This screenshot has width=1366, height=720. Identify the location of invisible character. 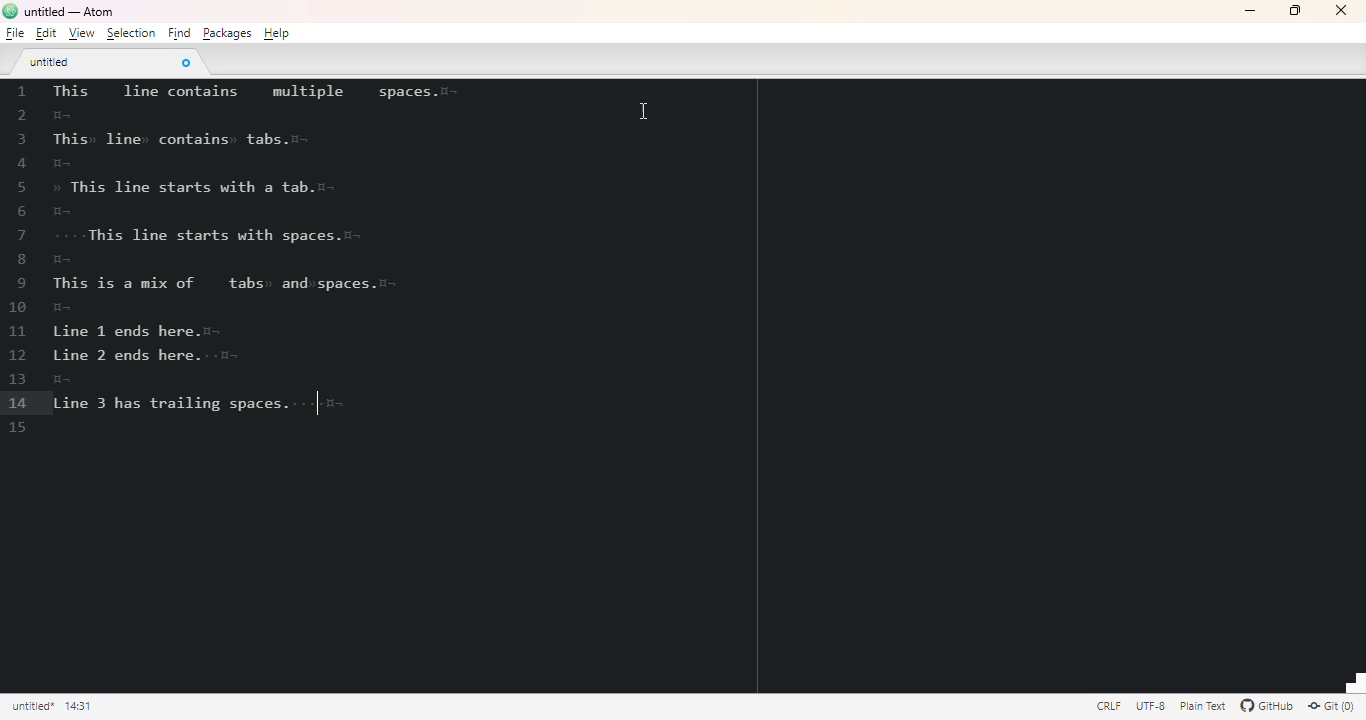
(93, 139).